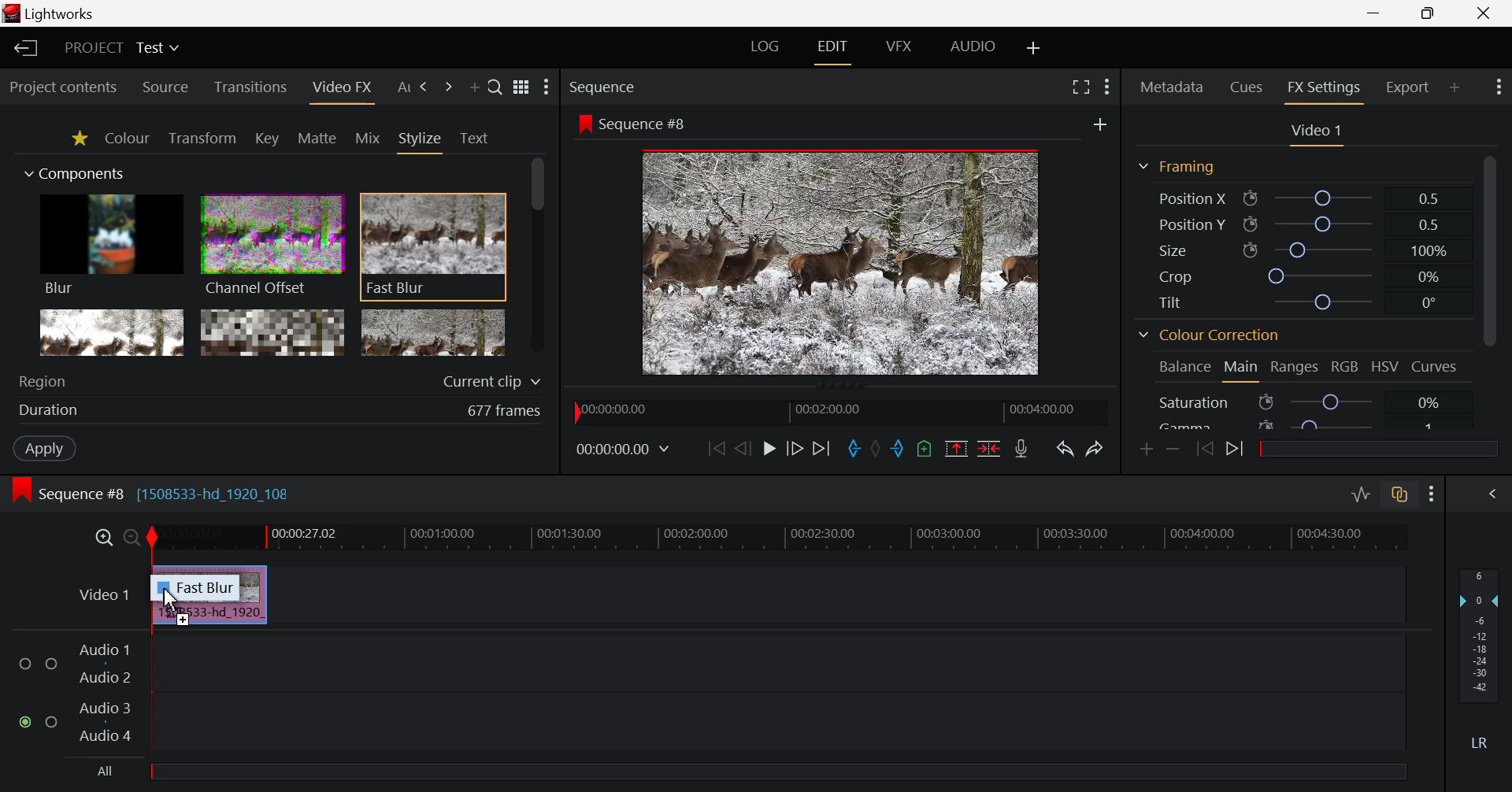 This screenshot has height=792, width=1512. I want to click on Mark Out, so click(896, 450).